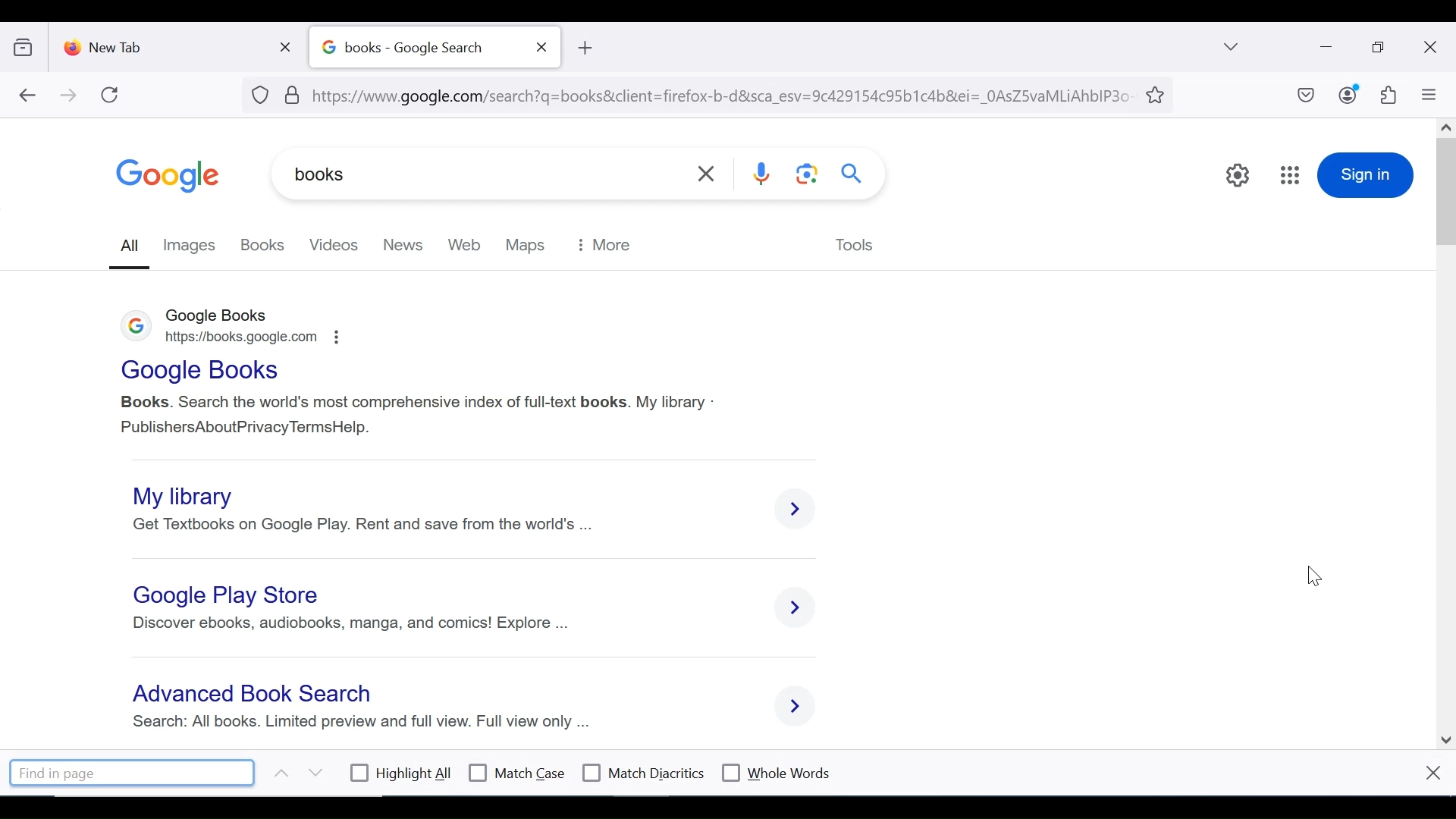  Describe the element at coordinates (418, 48) in the screenshot. I see `books - Google Search` at that location.